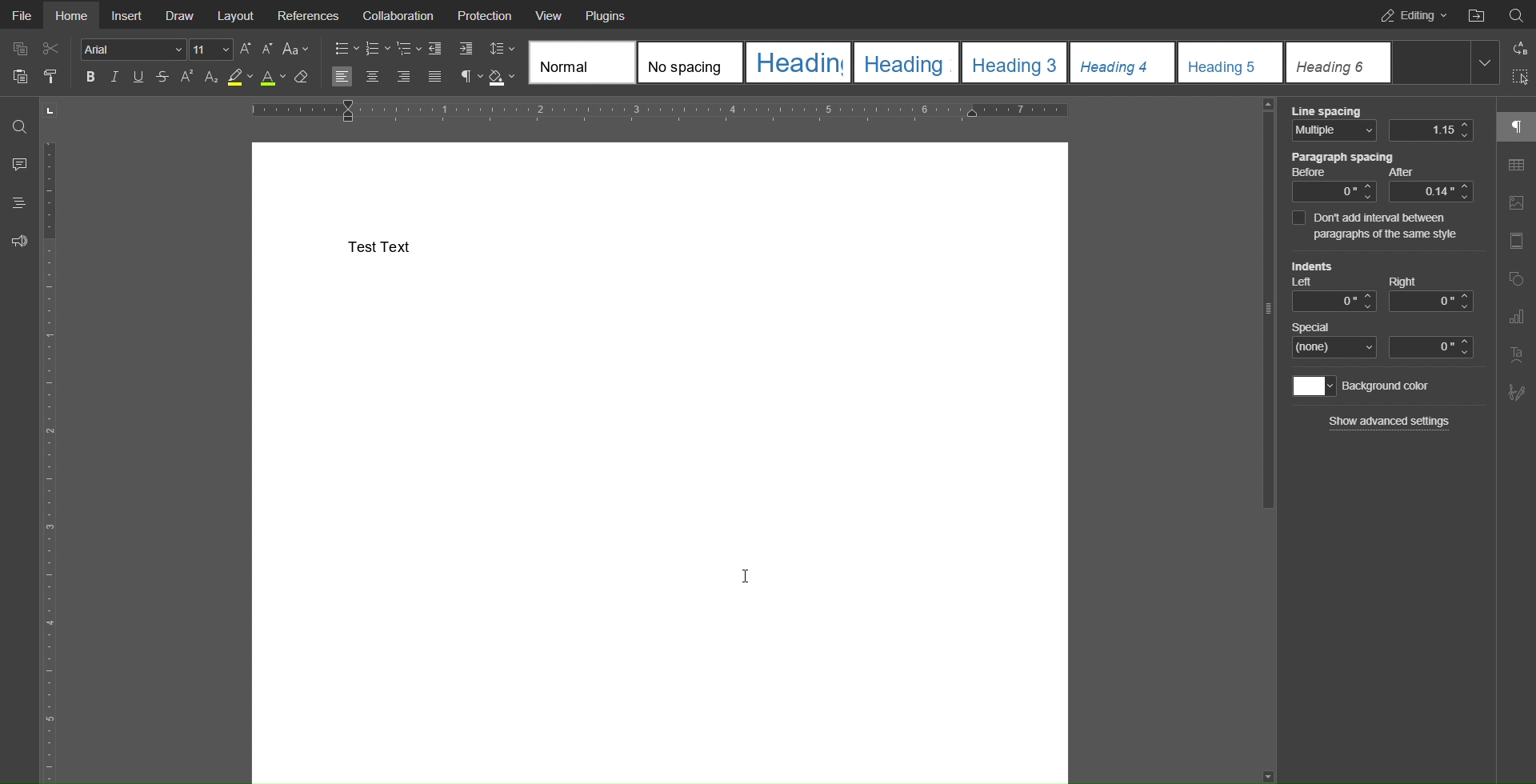 The image size is (1536, 784). I want to click on Plugins, so click(604, 14).